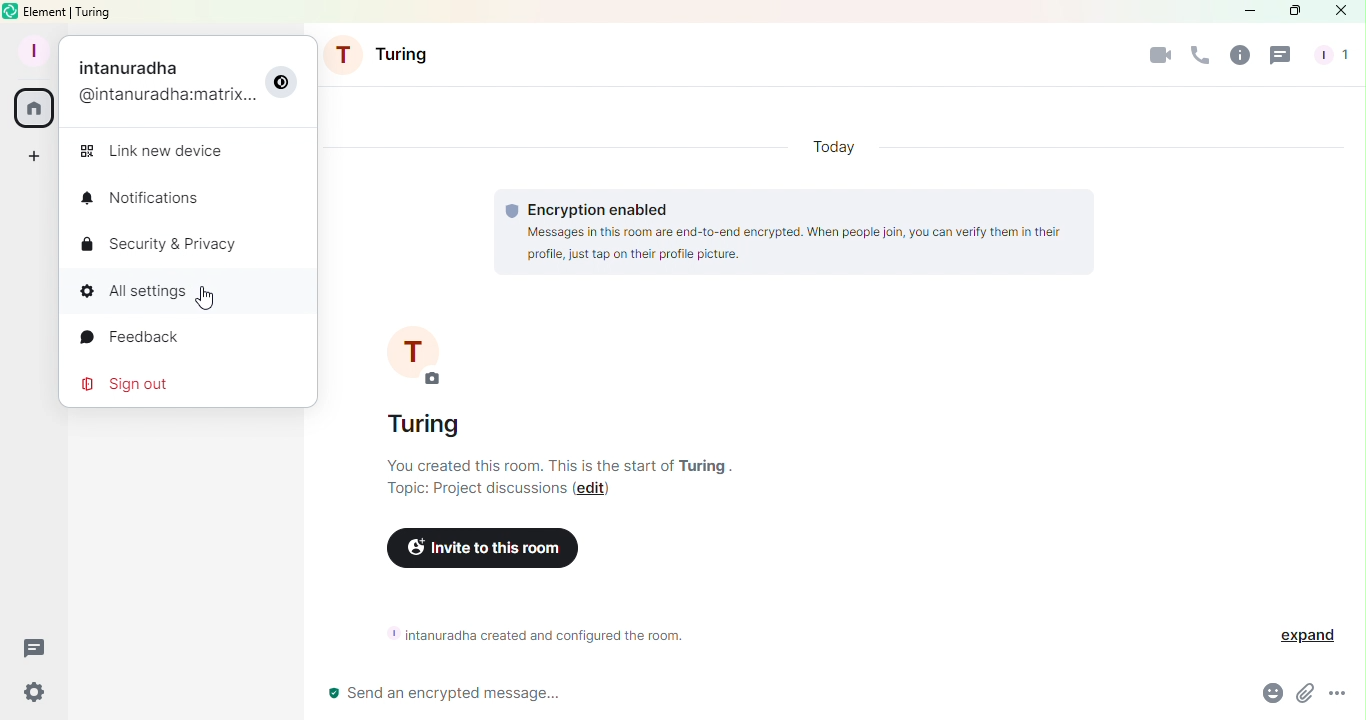 The height and width of the screenshot is (720, 1366). I want to click on you created this room. this is the srart of, so click(528, 465).